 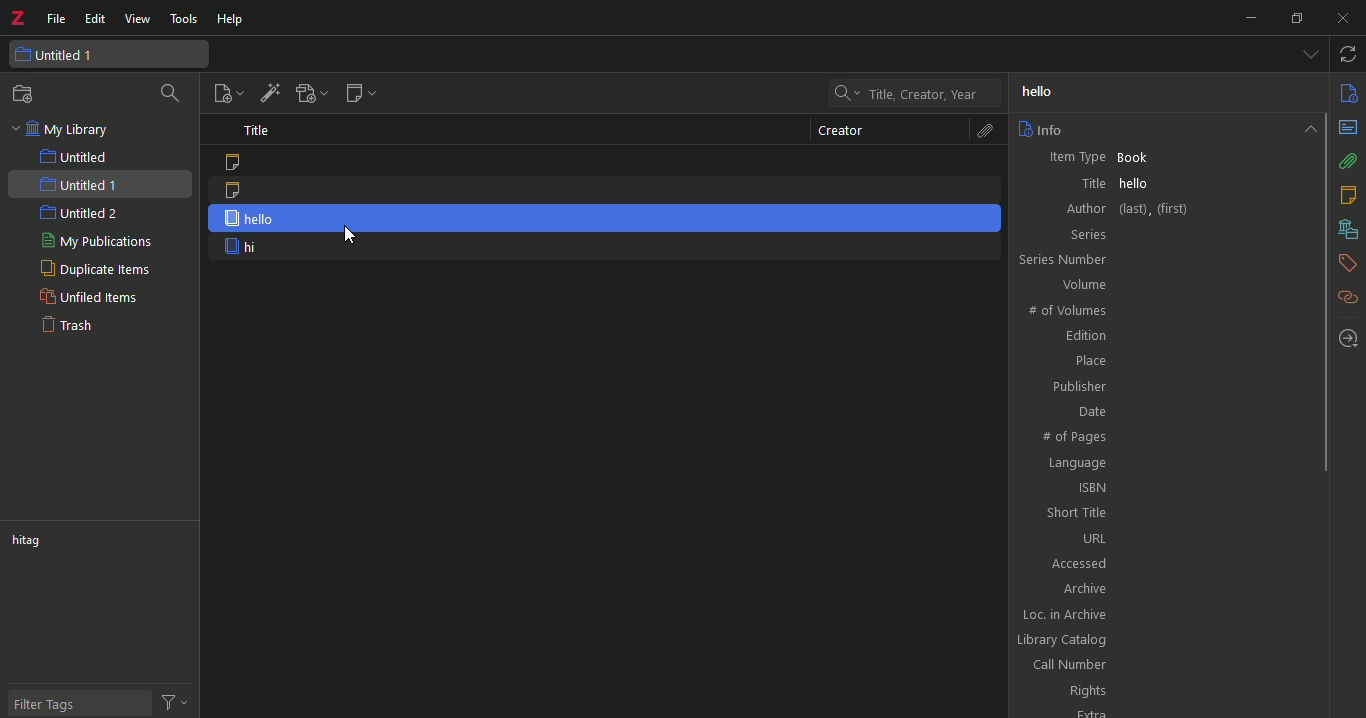 I want to click on trash, so click(x=74, y=325).